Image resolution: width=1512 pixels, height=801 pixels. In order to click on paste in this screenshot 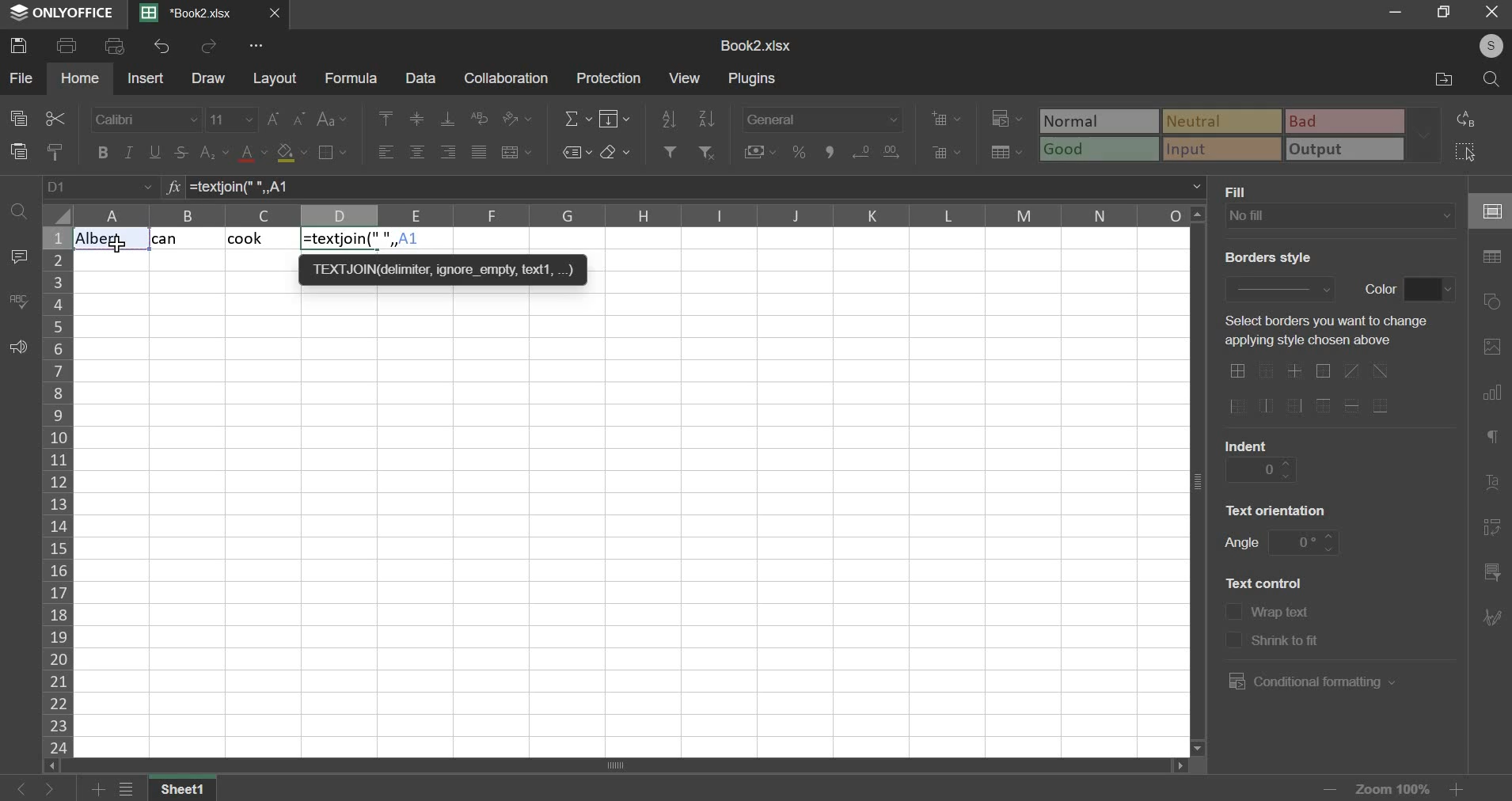, I will do `click(19, 151)`.